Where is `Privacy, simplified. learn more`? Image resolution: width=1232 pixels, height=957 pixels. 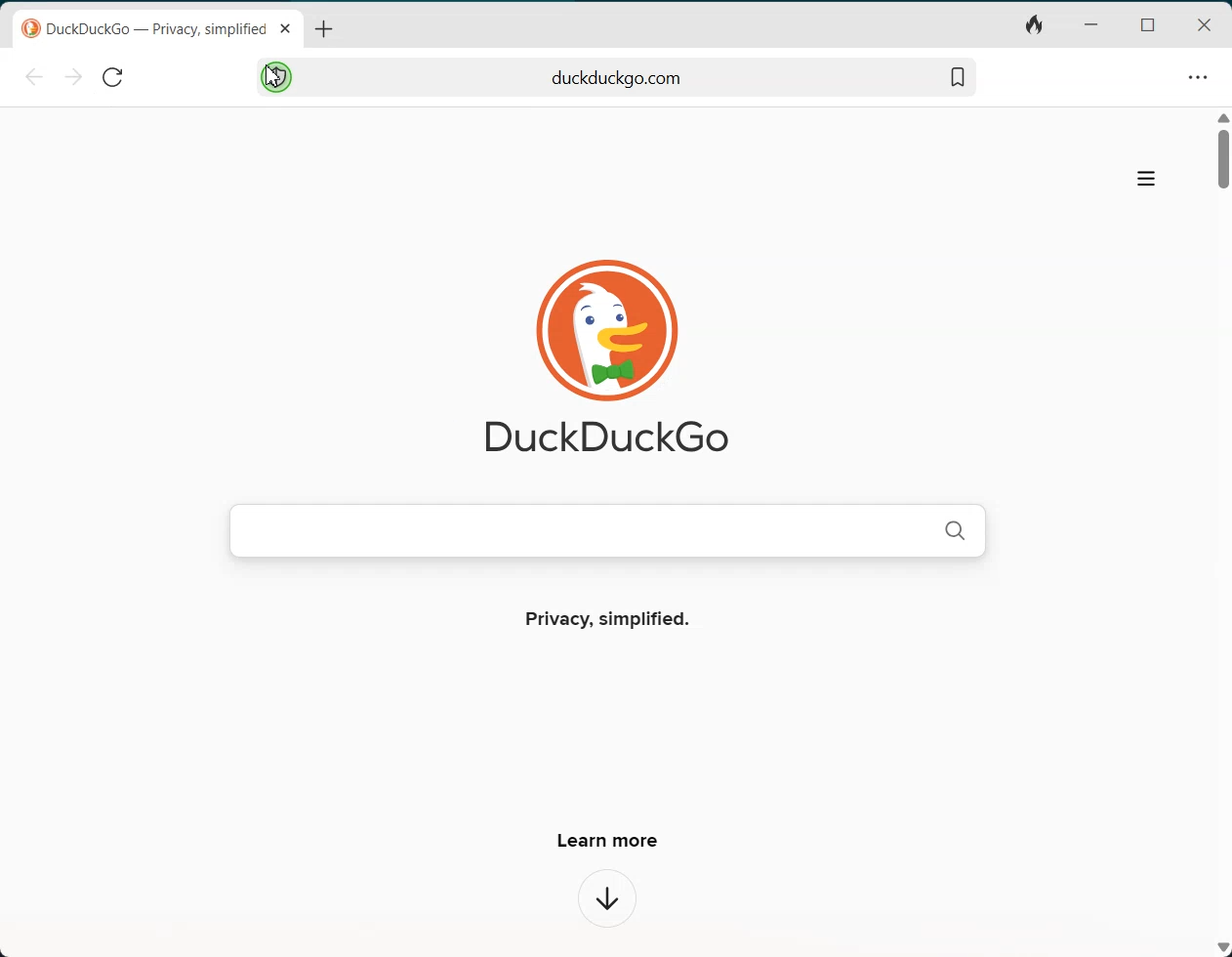
Privacy, simplified. learn more is located at coordinates (607, 726).